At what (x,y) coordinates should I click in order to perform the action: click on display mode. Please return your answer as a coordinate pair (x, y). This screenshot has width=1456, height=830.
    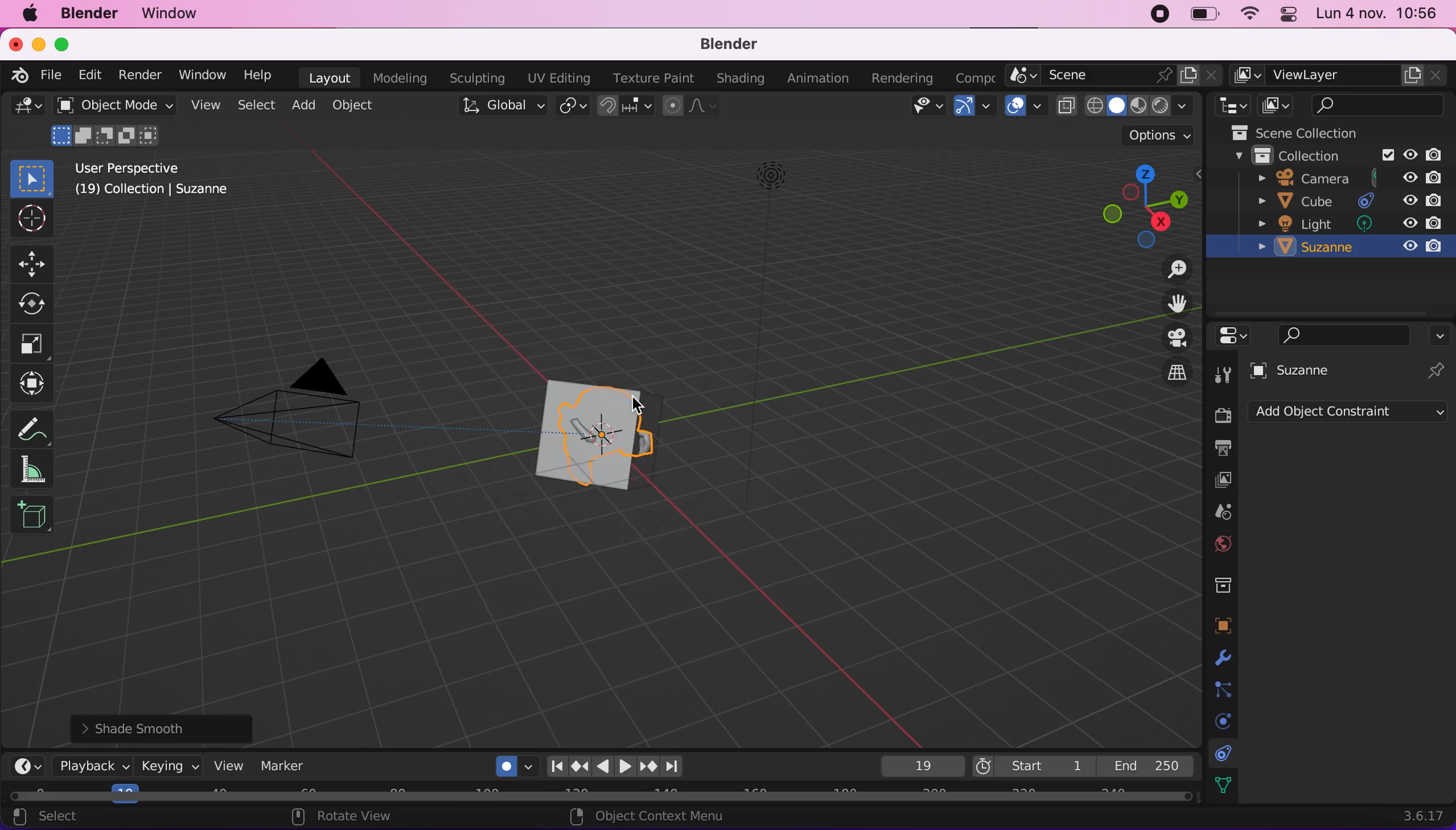
    Looking at the image, I should click on (1279, 104).